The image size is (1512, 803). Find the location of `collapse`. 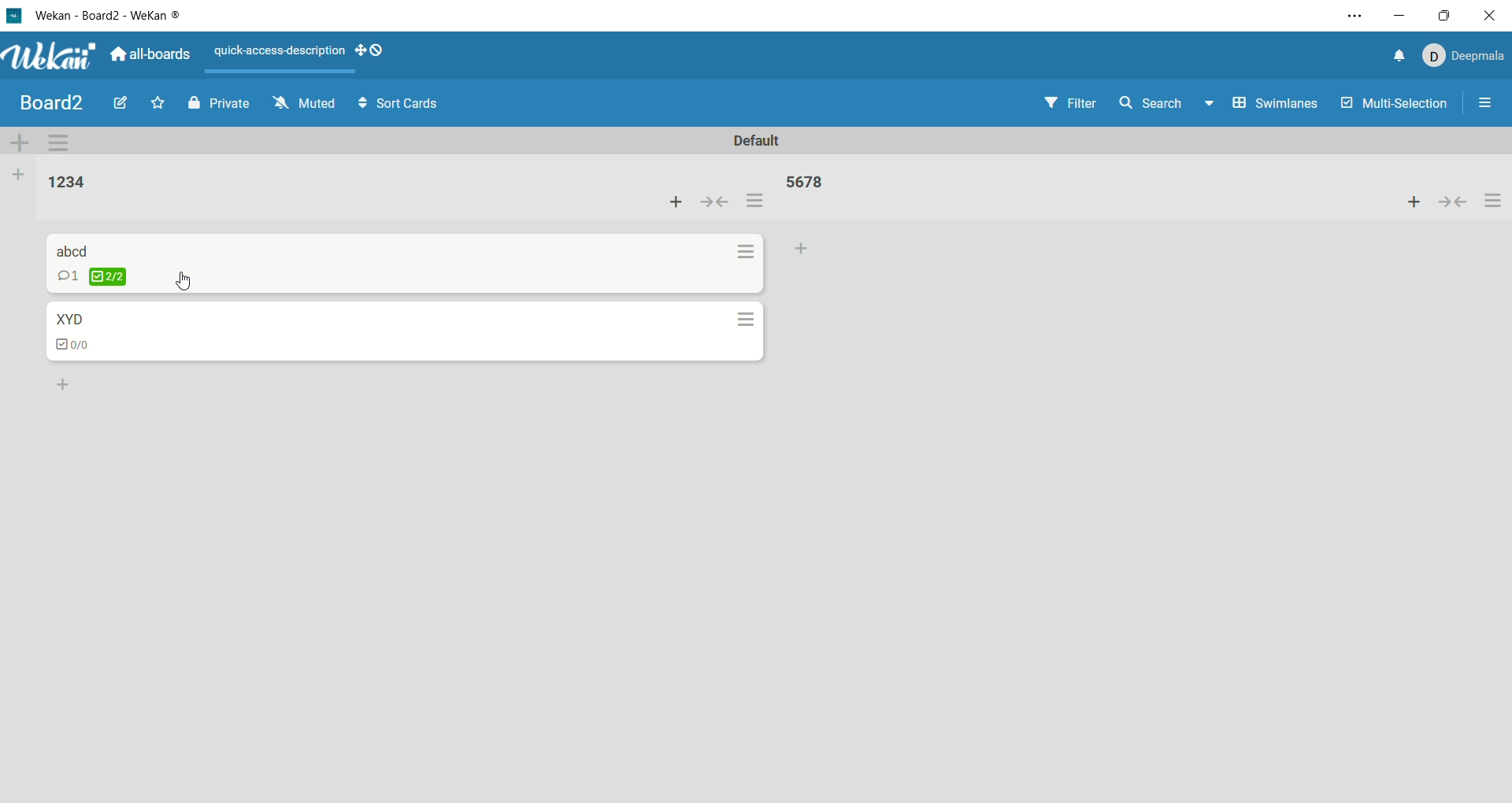

collapse is located at coordinates (1459, 200).